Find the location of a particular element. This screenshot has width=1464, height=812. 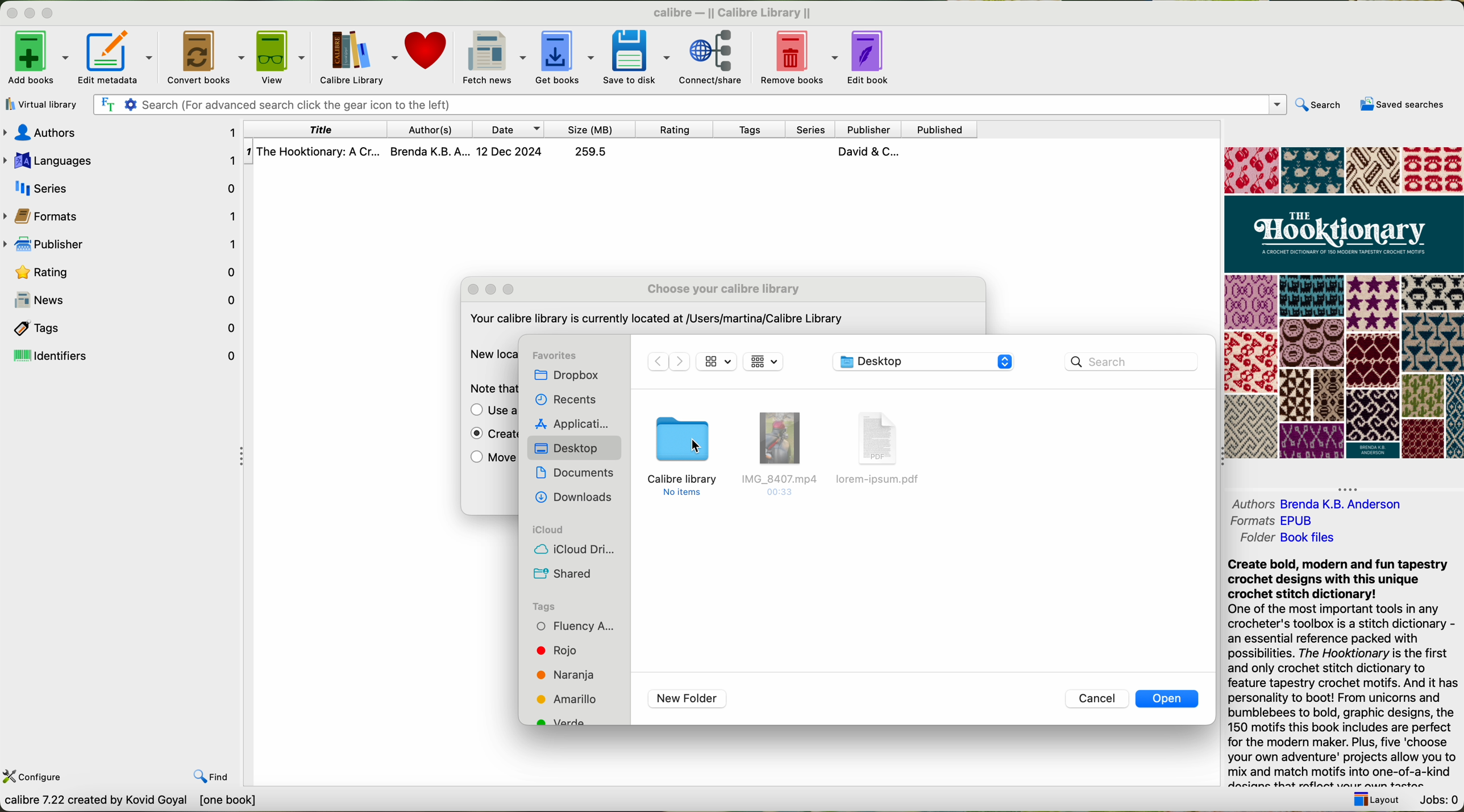

file is located at coordinates (879, 449).